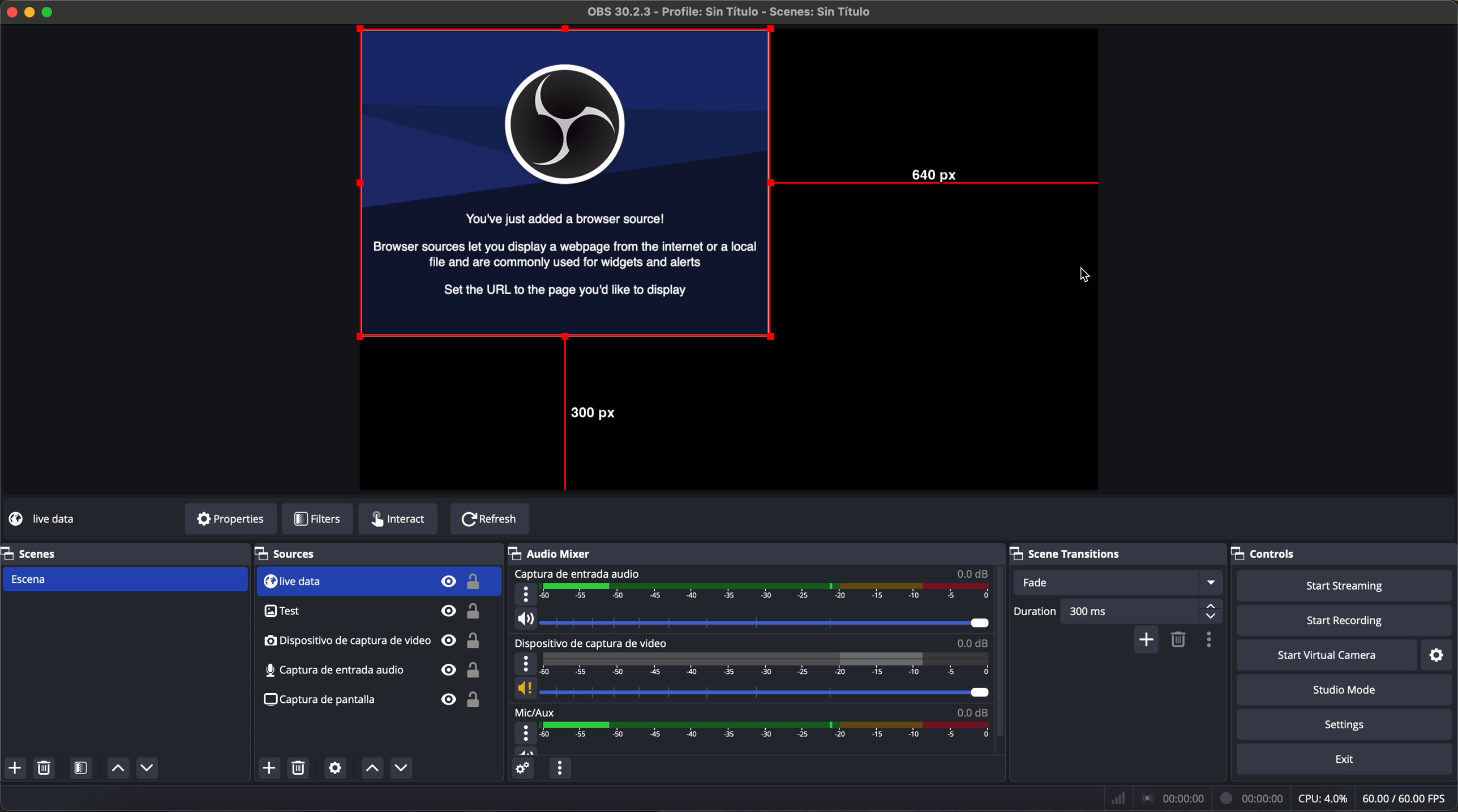 The image size is (1458, 812). Describe the element at coordinates (524, 664) in the screenshot. I see `more options` at that location.